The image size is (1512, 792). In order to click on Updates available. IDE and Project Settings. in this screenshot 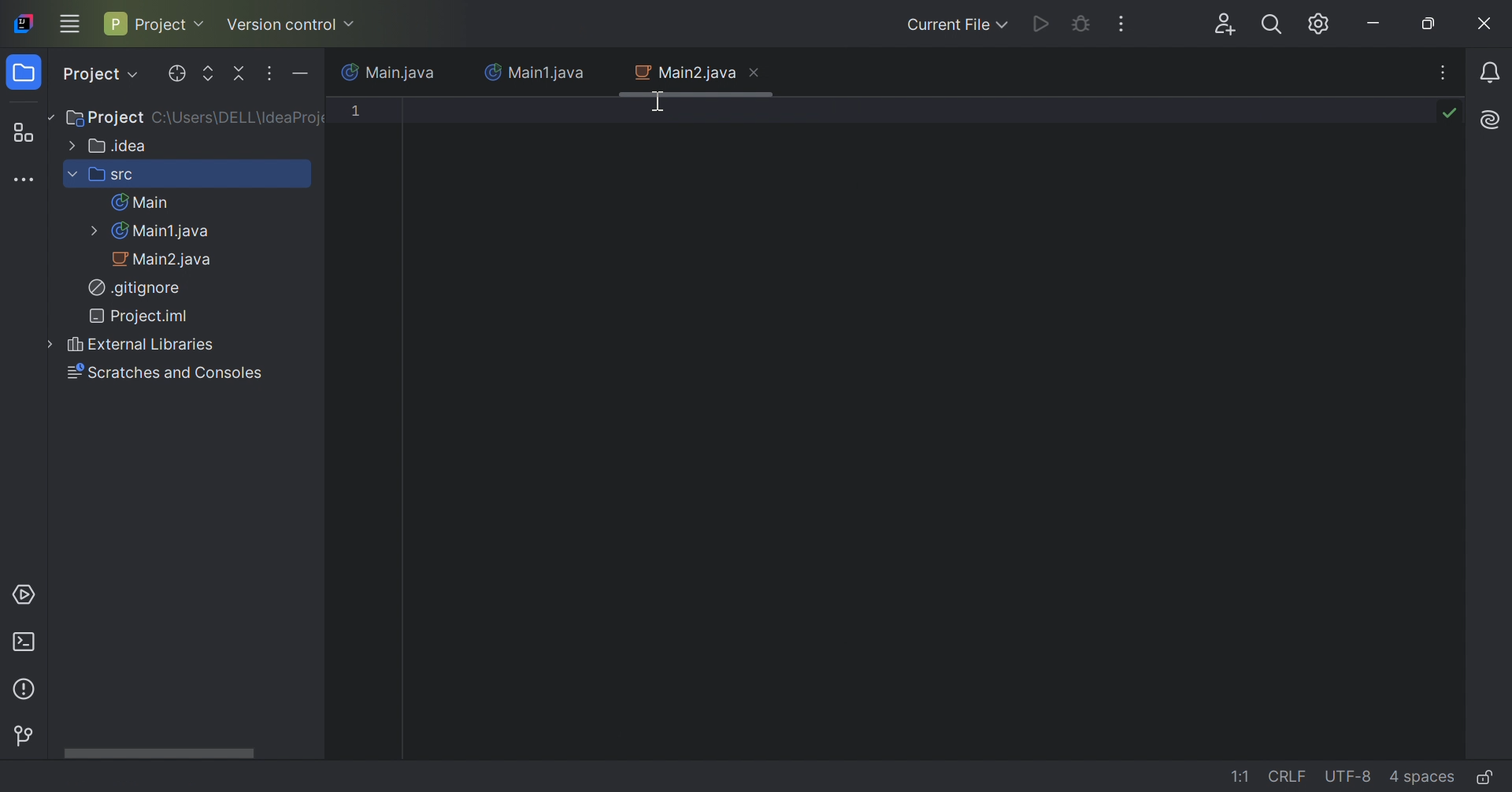, I will do `click(1314, 24)`.